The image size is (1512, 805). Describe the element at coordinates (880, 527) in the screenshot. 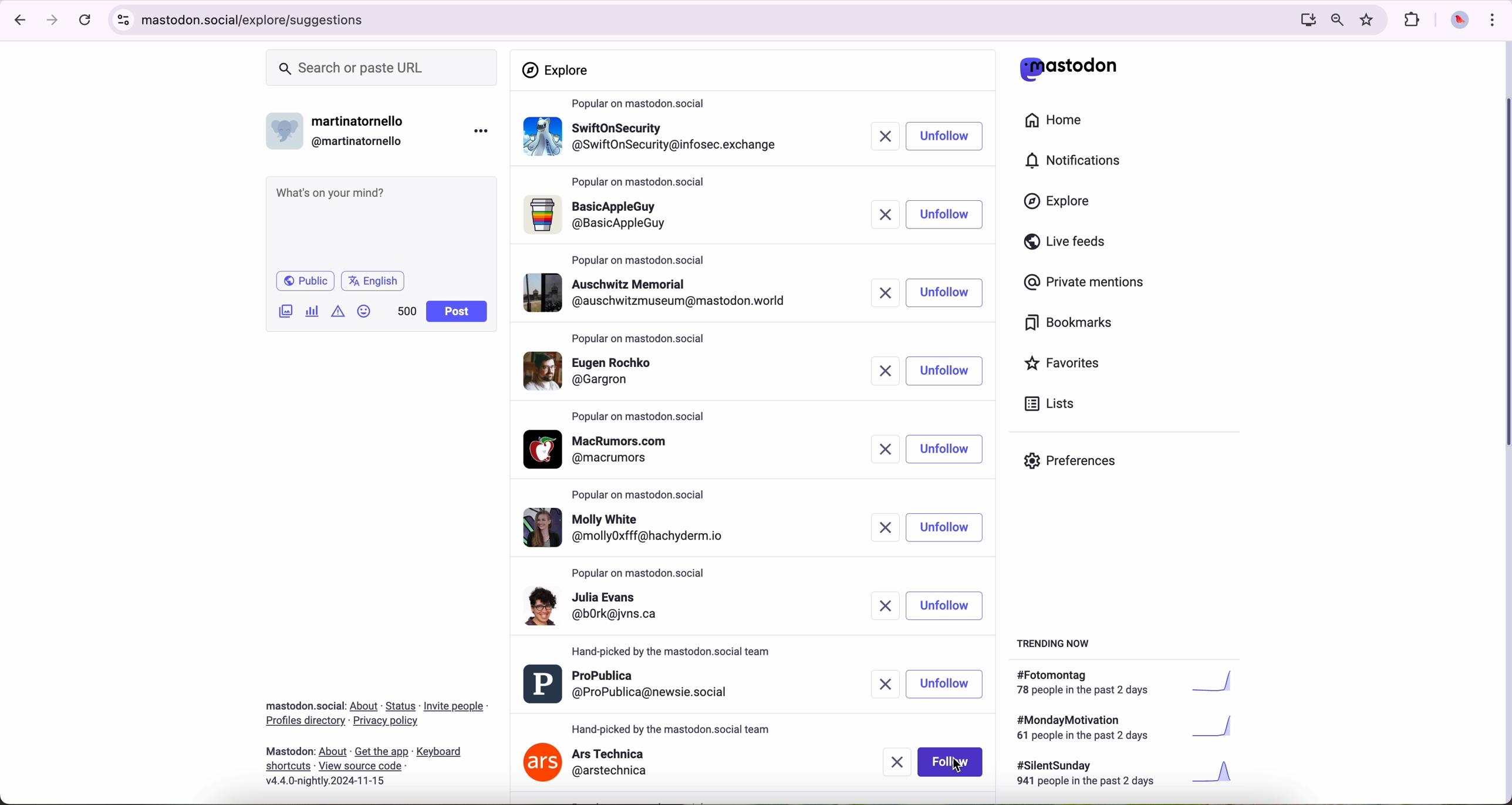

I see `remove` at that location.